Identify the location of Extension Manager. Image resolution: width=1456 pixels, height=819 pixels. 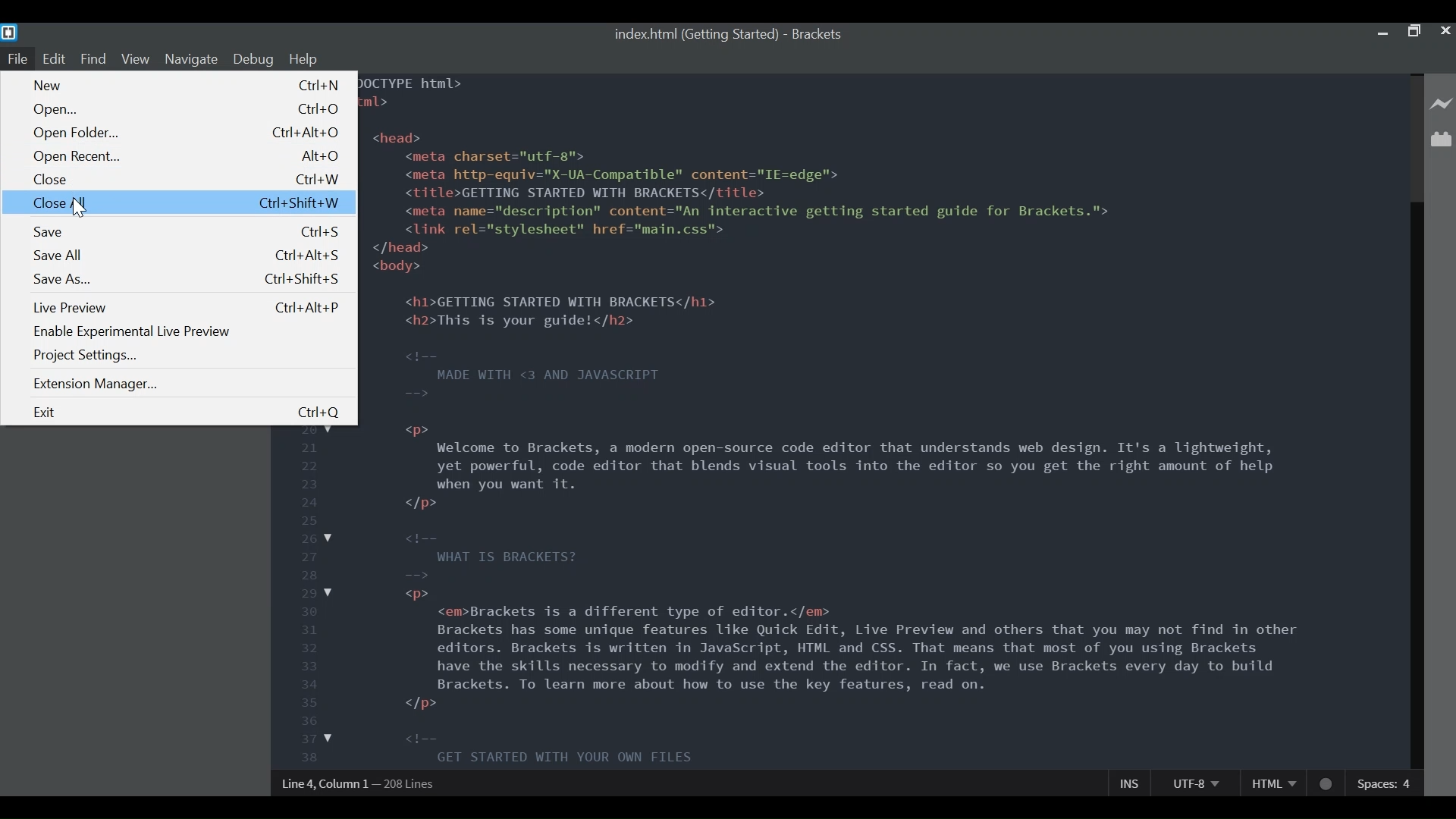
(1441, 141).